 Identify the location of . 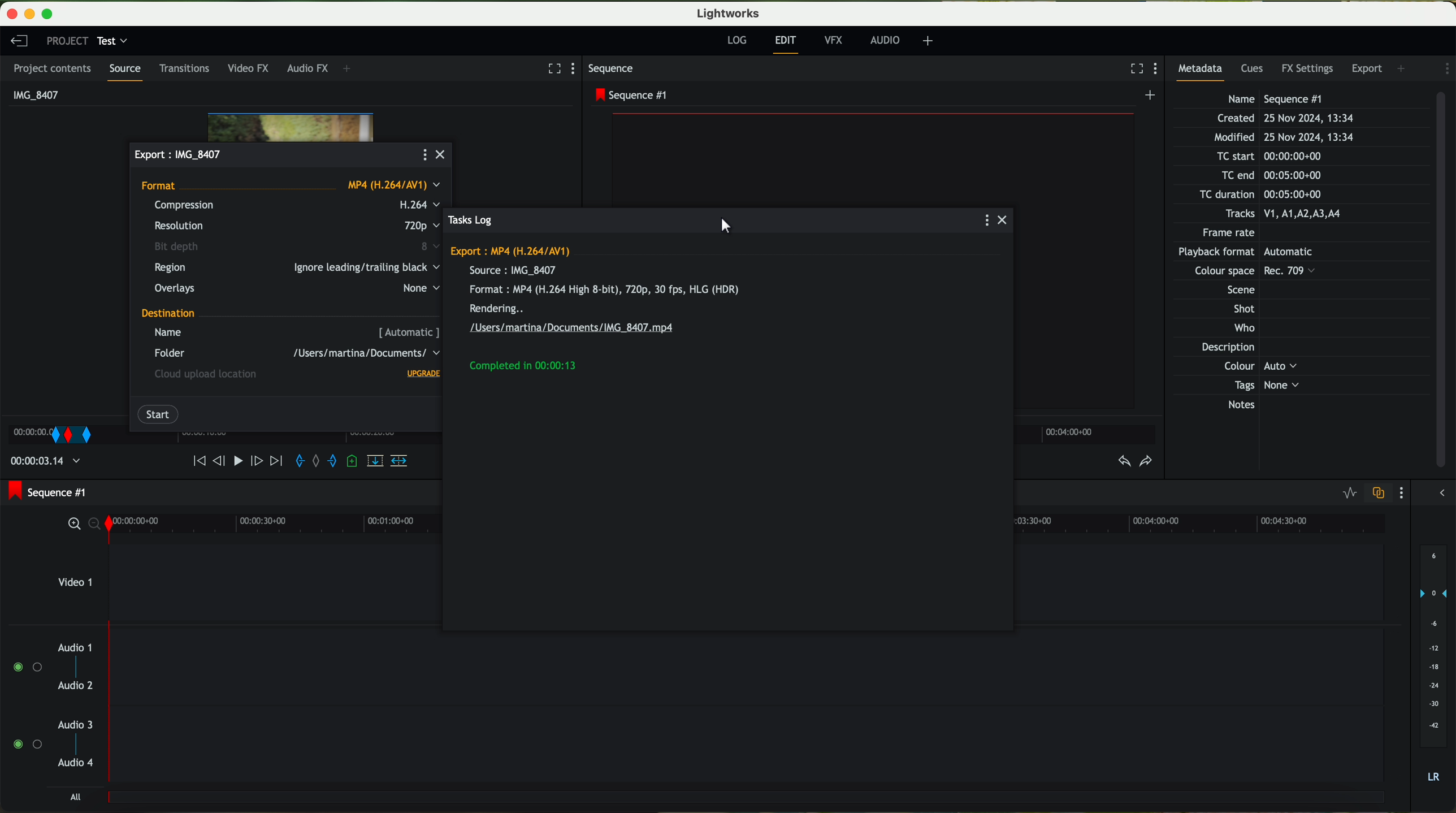
(1258, 366).